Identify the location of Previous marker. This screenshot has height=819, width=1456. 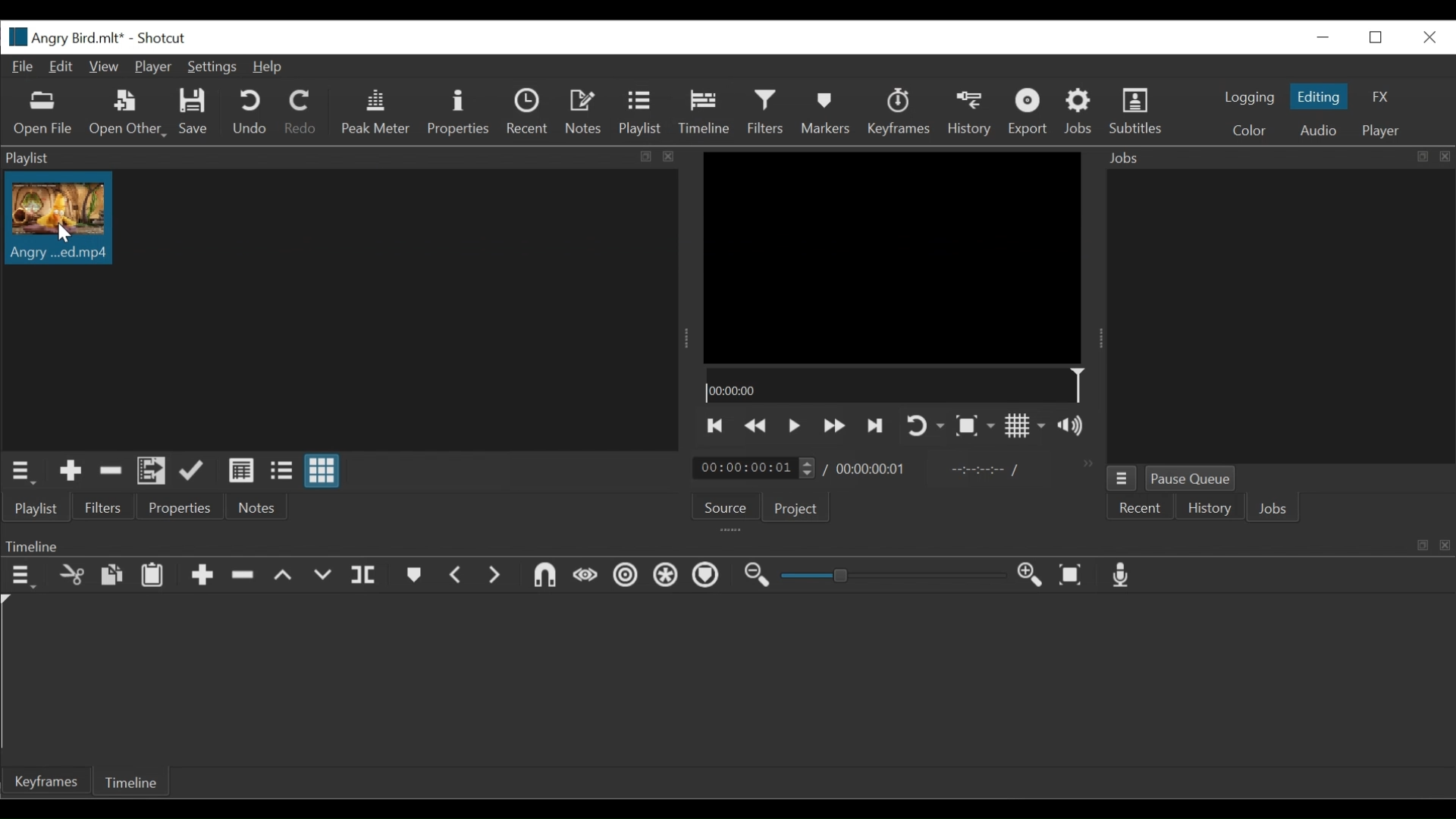
(457, 576).